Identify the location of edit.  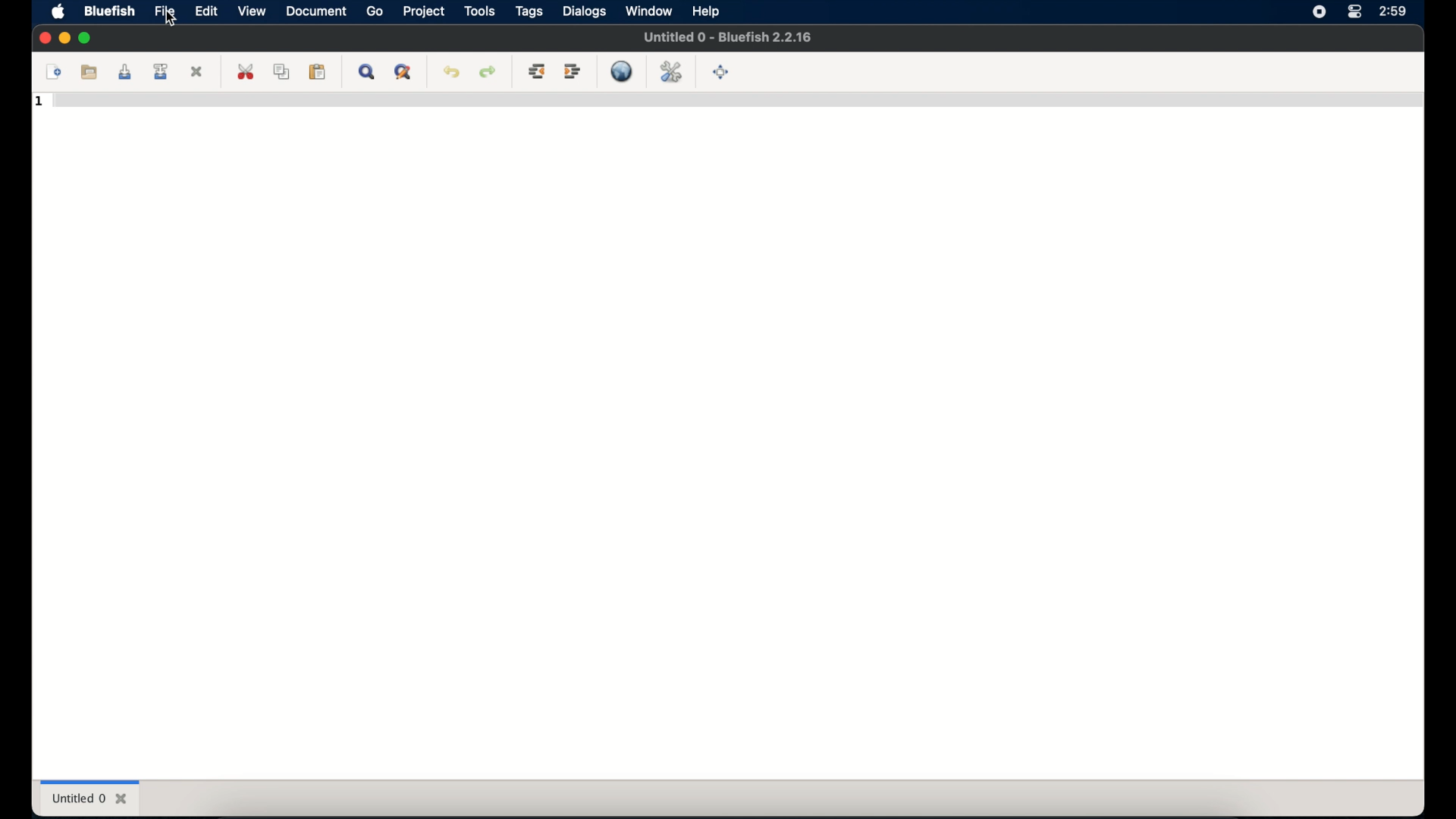
(208, 11).